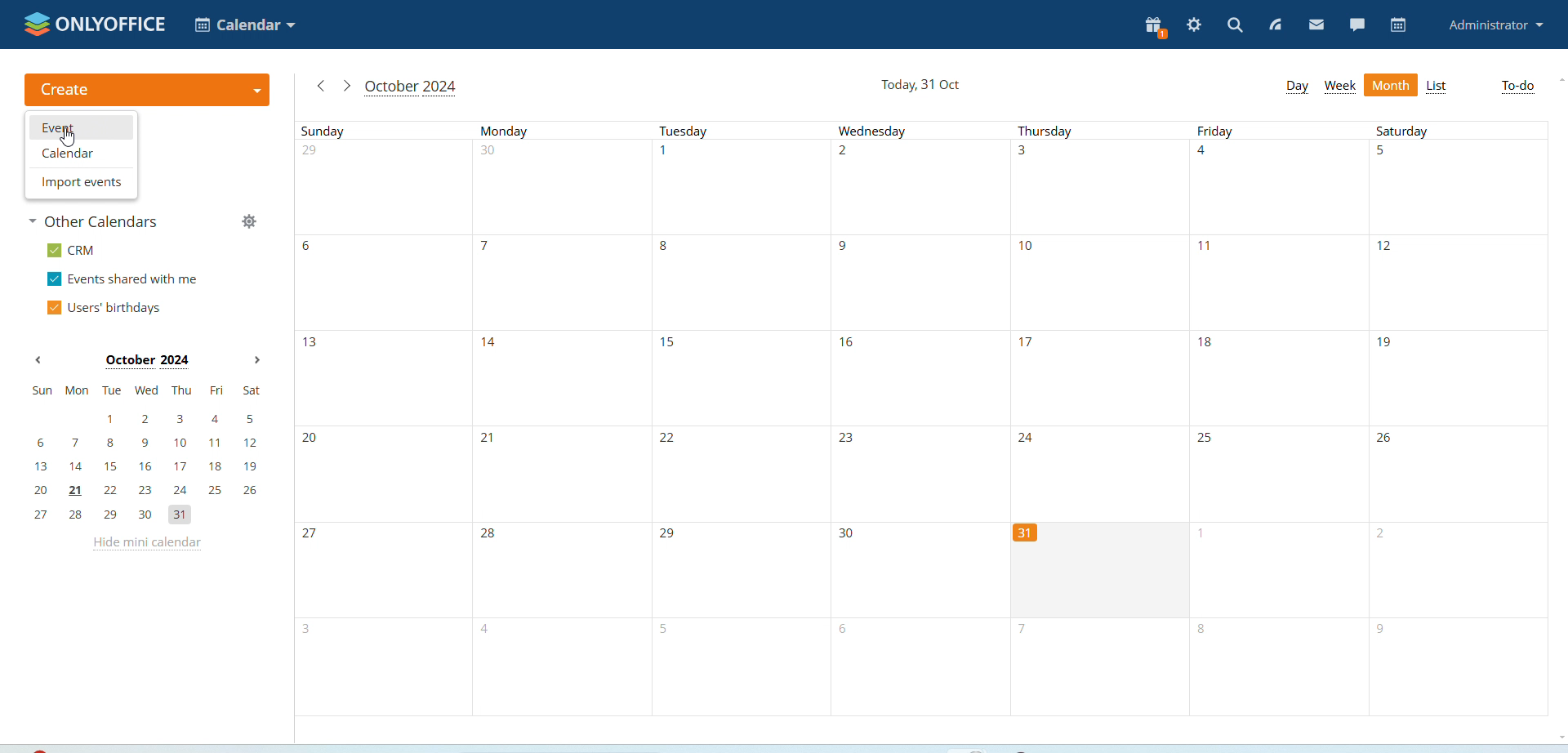 The width and height of the screenshot is (1568, 753). Describe the element at coordinates (1156, 28) in the screenshot. I see `present` at that location.